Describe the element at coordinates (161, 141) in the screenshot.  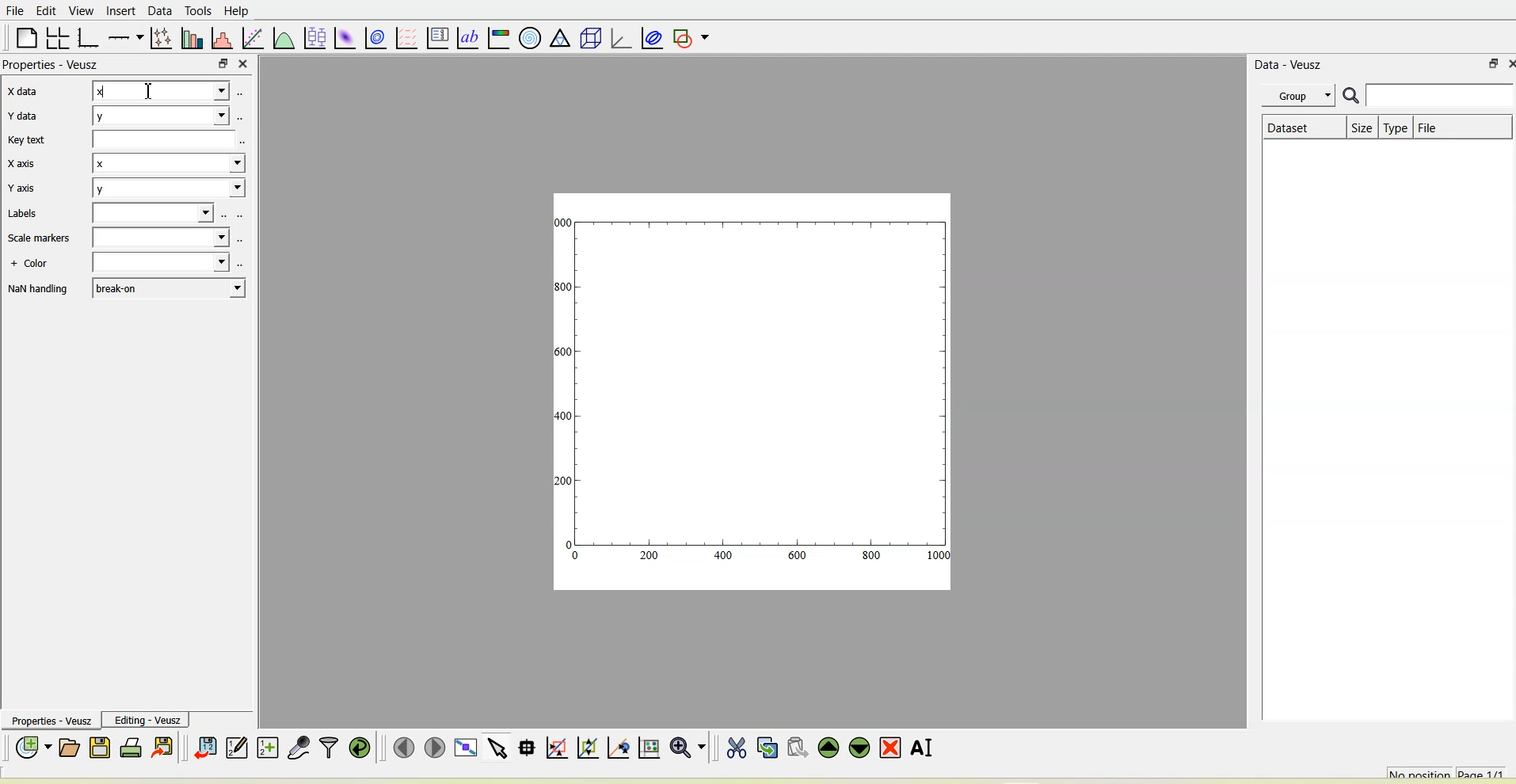
I see `select using dataset browser` at that location.